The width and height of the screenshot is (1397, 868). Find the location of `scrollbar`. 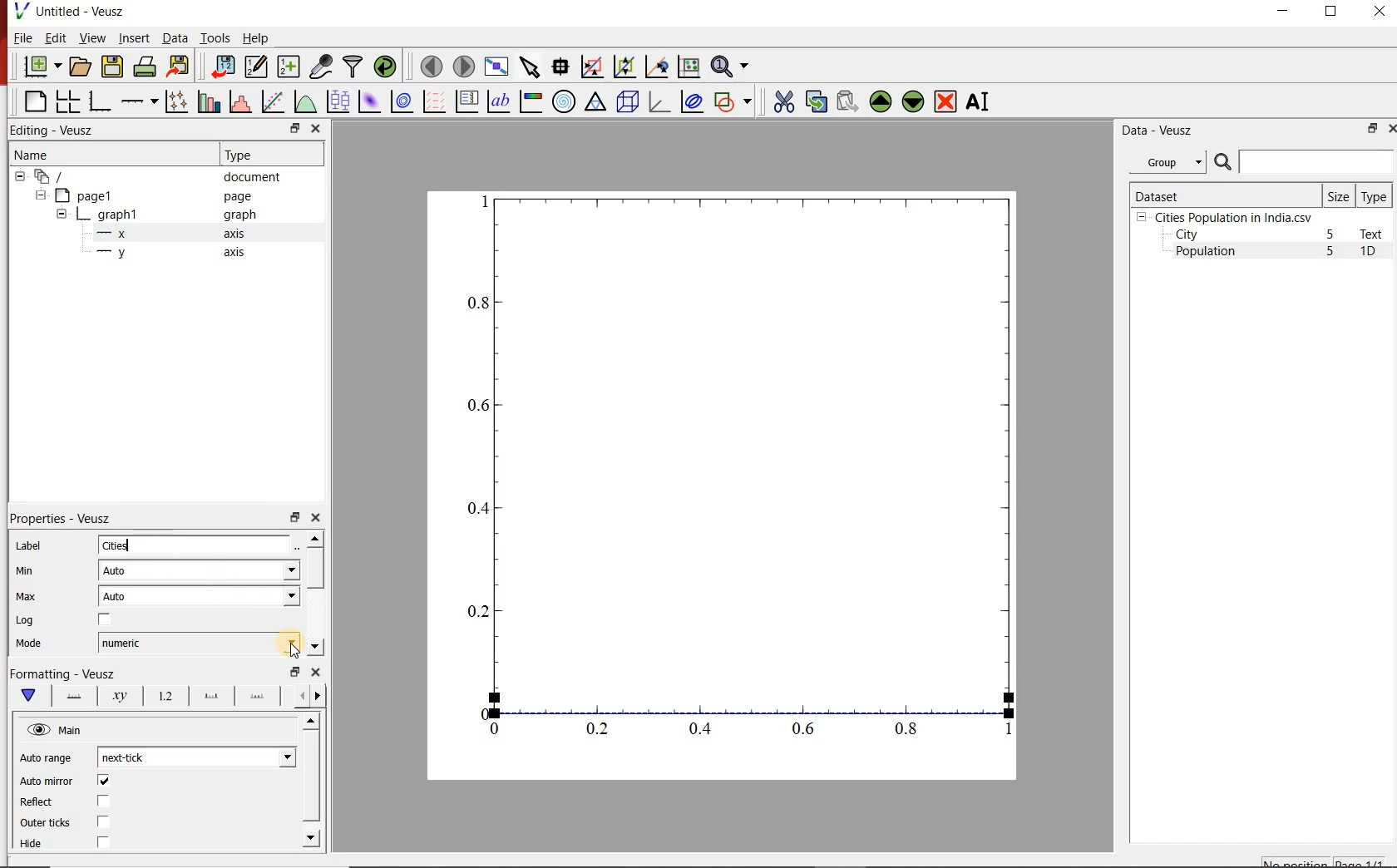

scrollbar is located at coordinates (315, 594).